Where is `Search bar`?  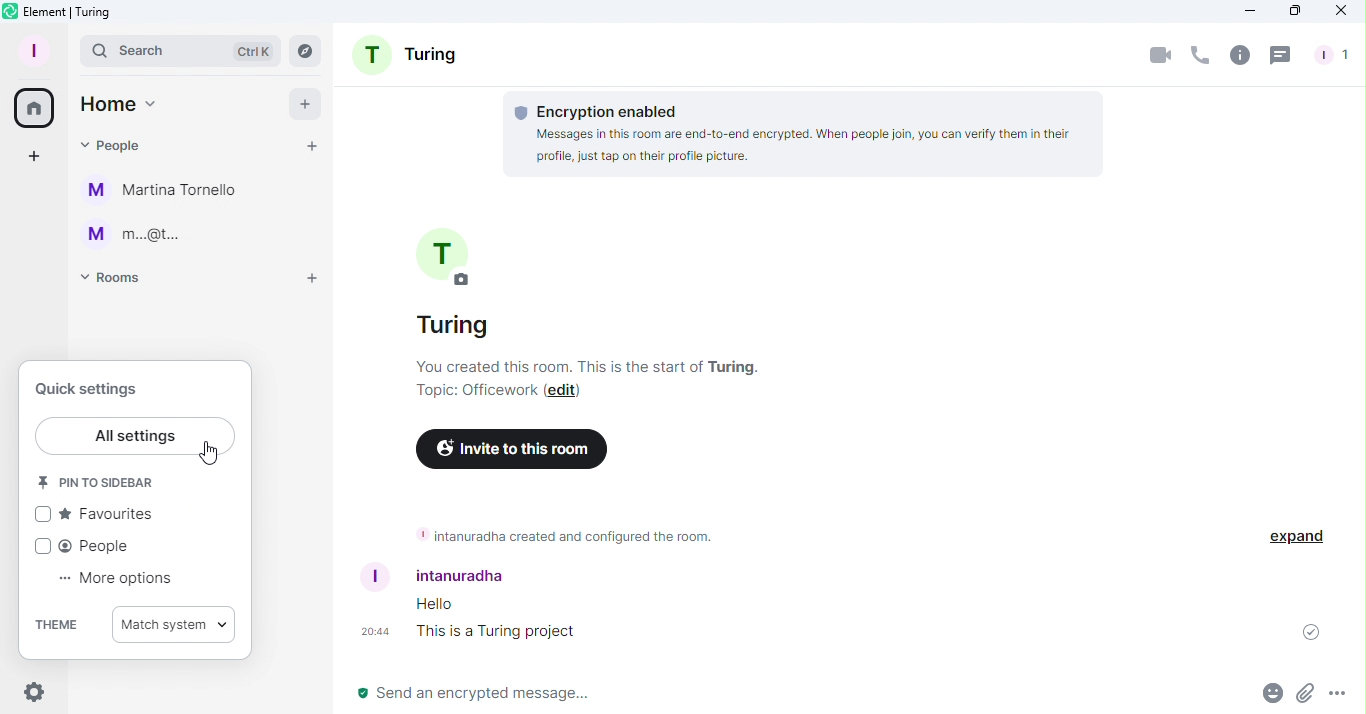 Search bar is located at coordinates (180, 50).